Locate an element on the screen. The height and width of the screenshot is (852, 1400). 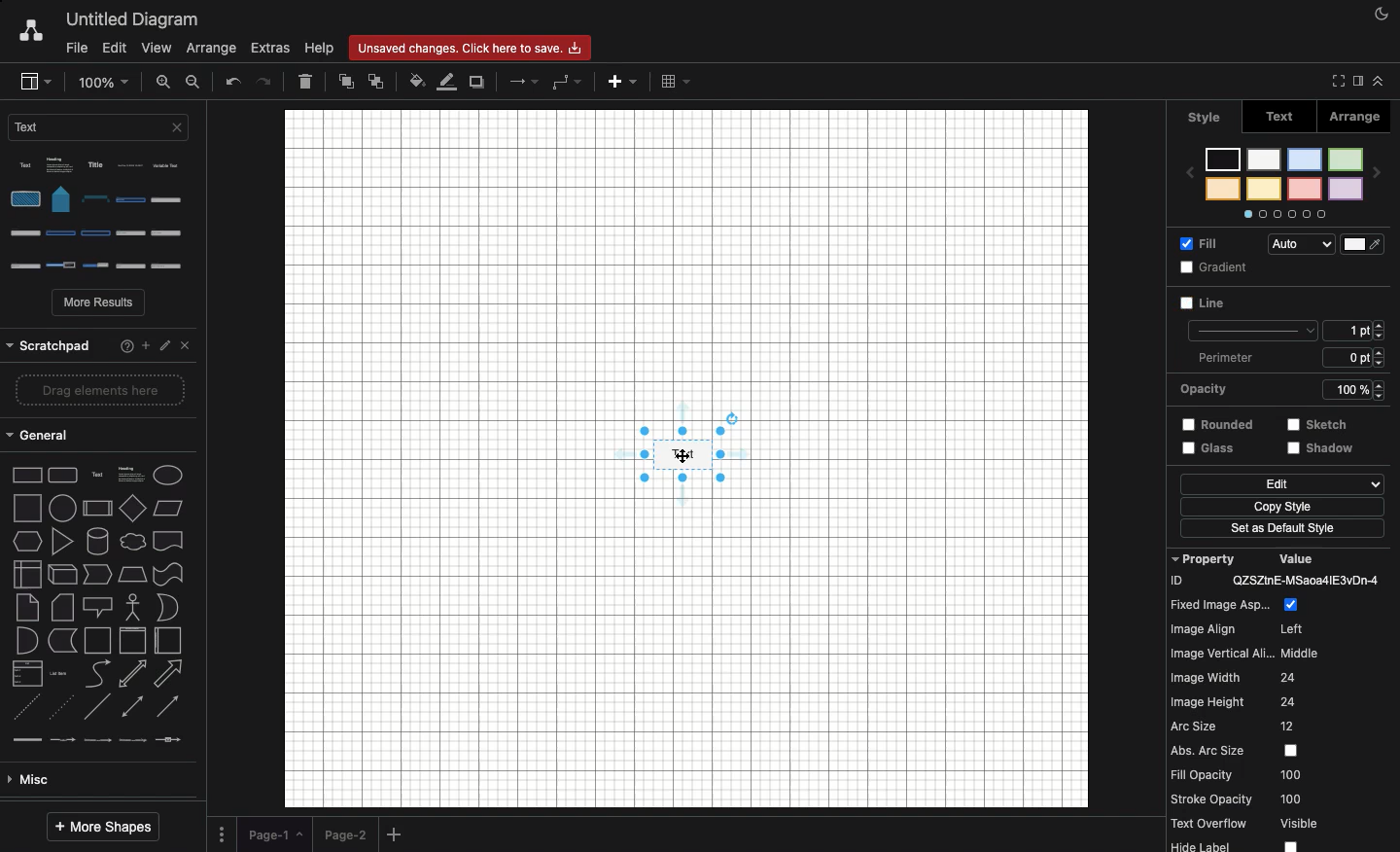
Untitled is located at coordinates (133, 20).